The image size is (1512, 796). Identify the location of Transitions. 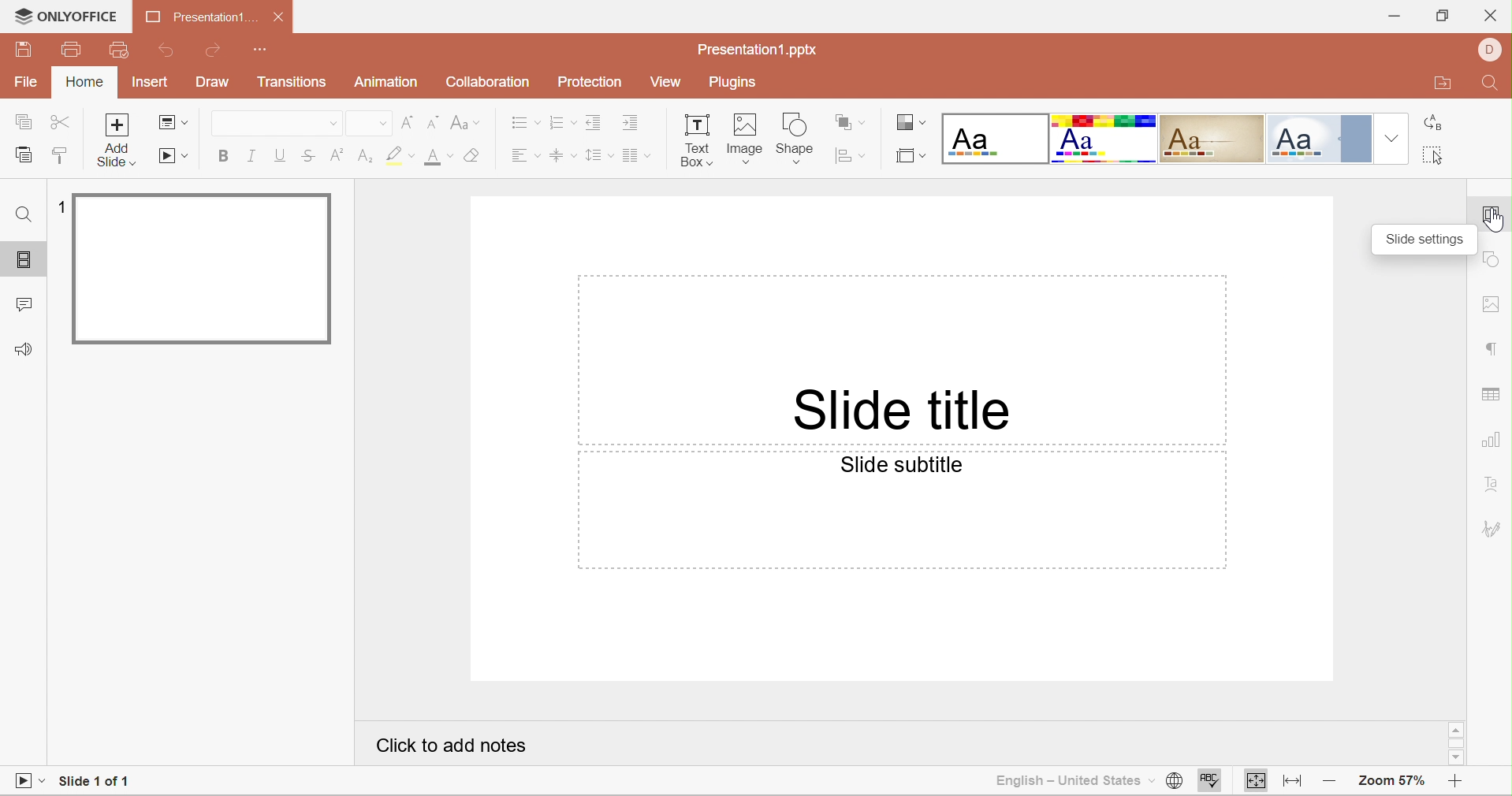
(291, 85).